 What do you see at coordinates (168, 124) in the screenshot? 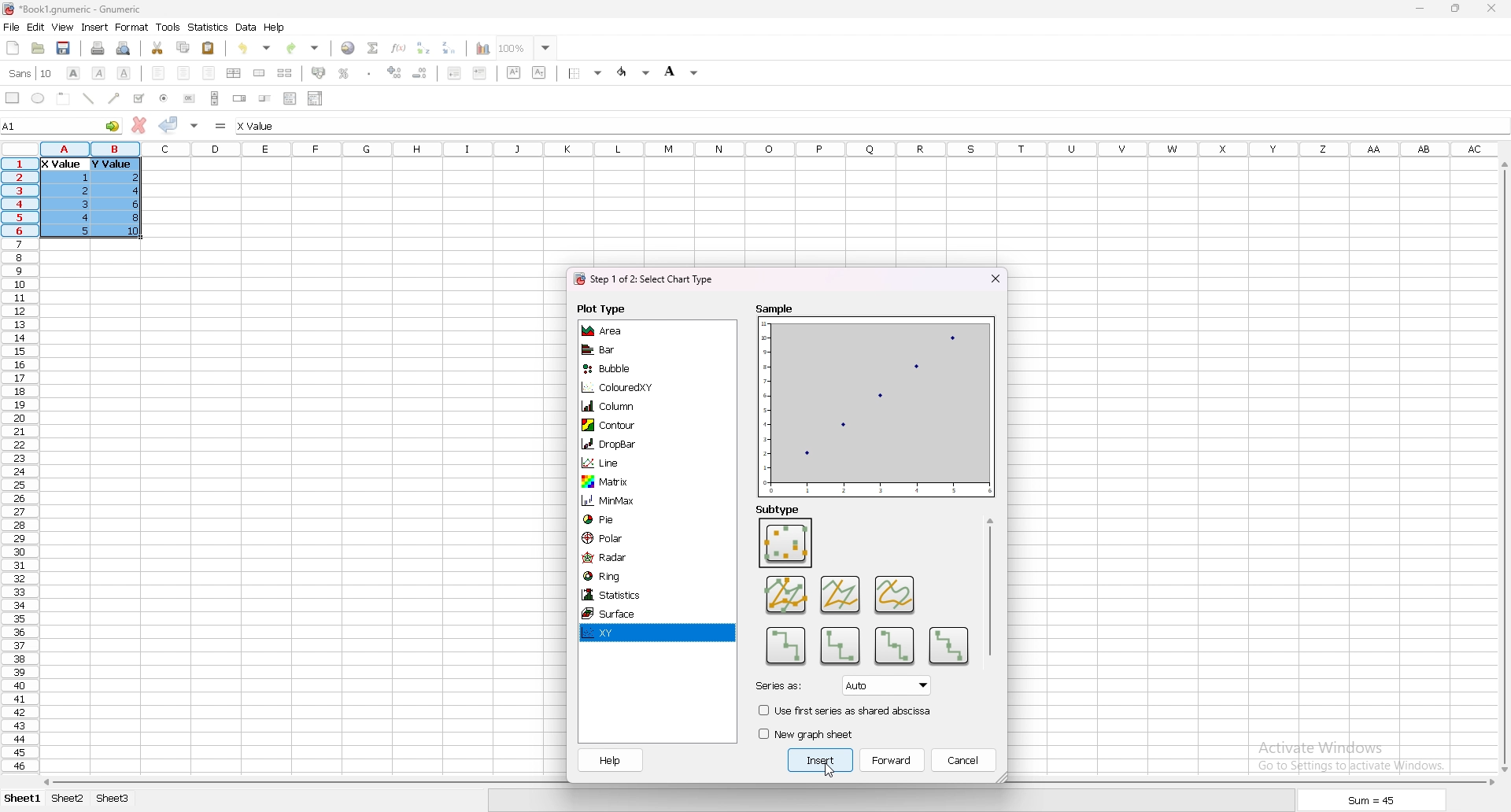
I see `accept change` at bounding box center [168, 124].